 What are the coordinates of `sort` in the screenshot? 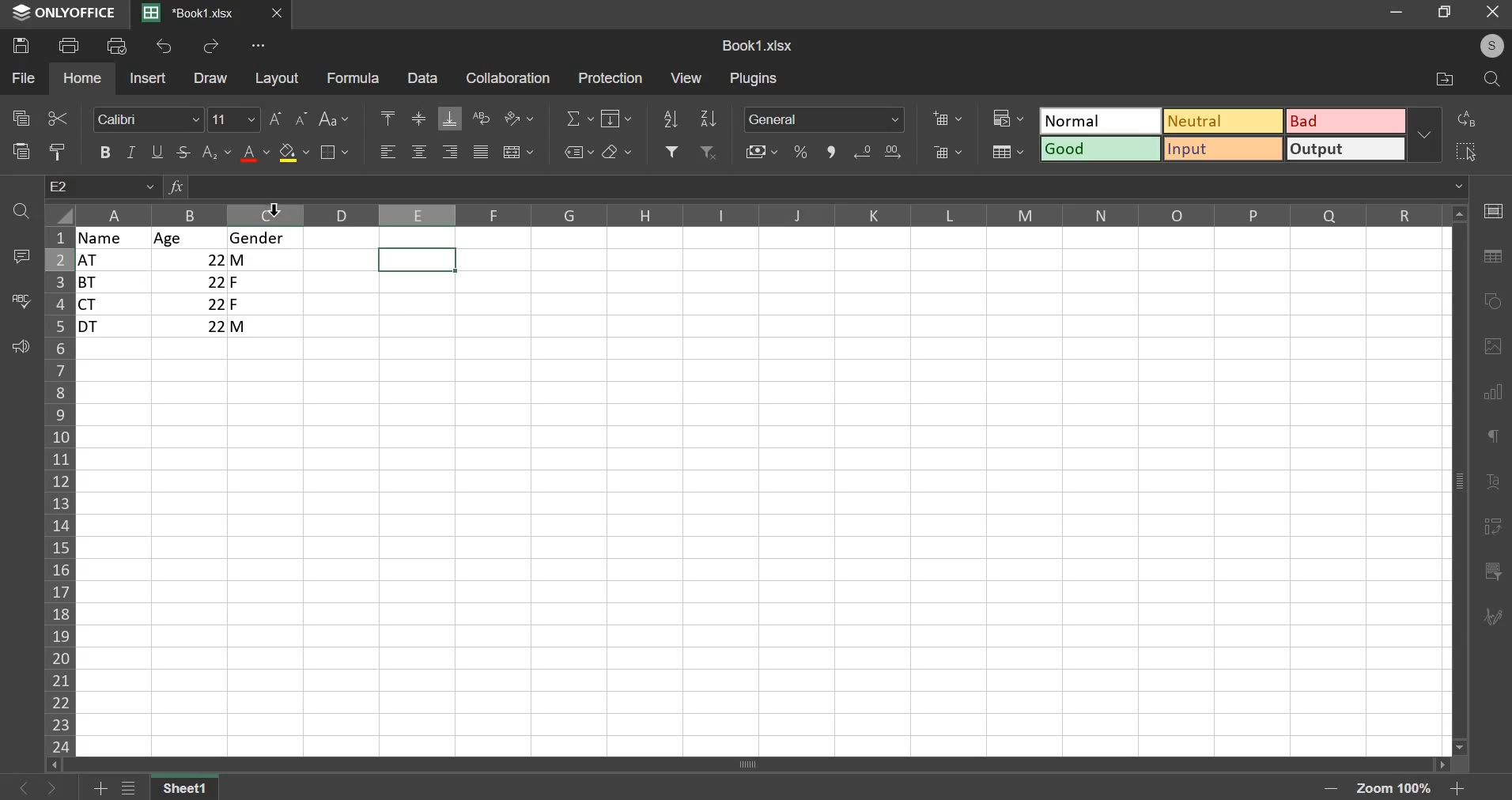 It's located at (709, 118).